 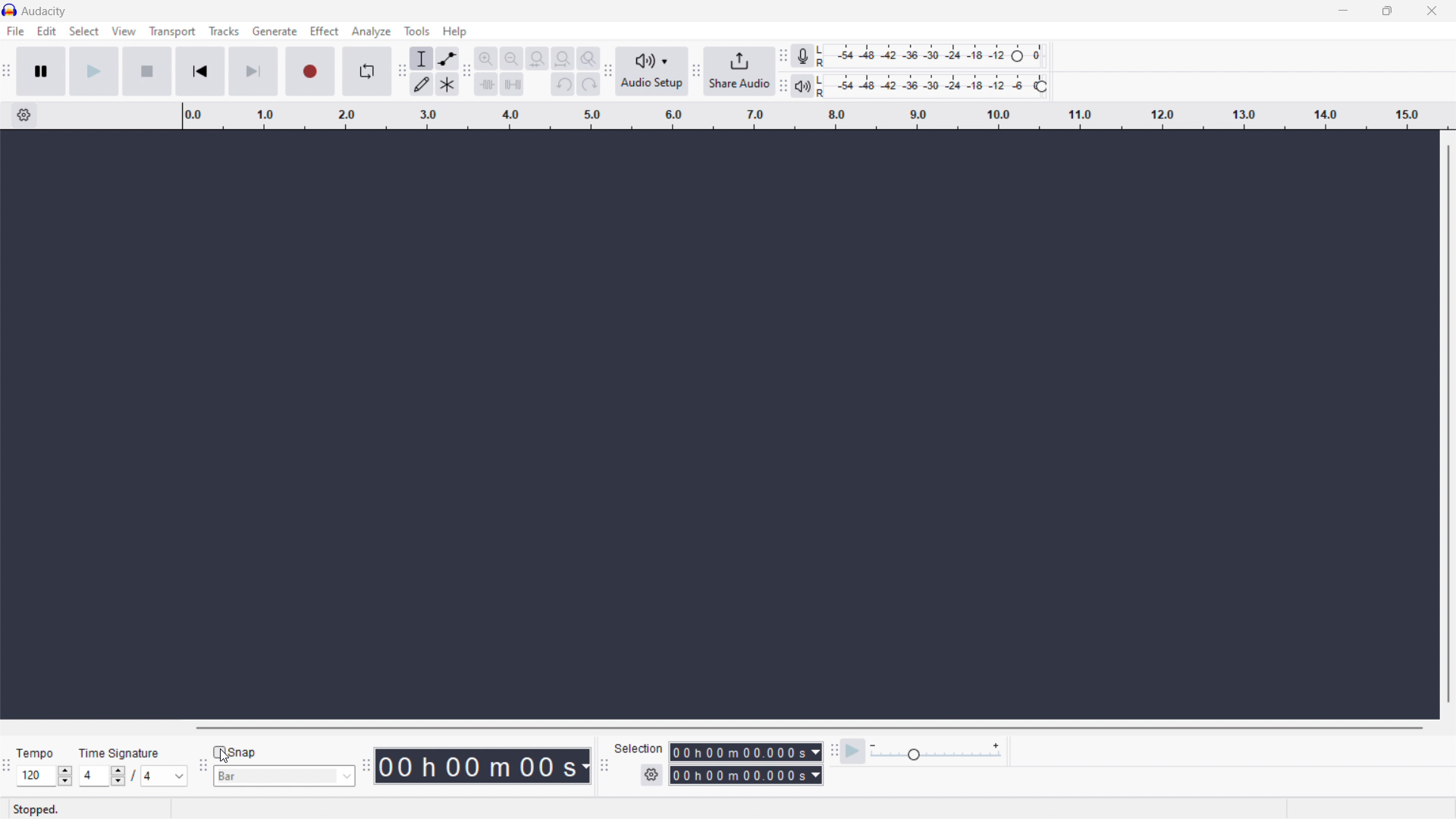 What do you see at coordinates (803, 86) in the screenshot?
I see `playback meter tool` at bounding box center [803, 86].